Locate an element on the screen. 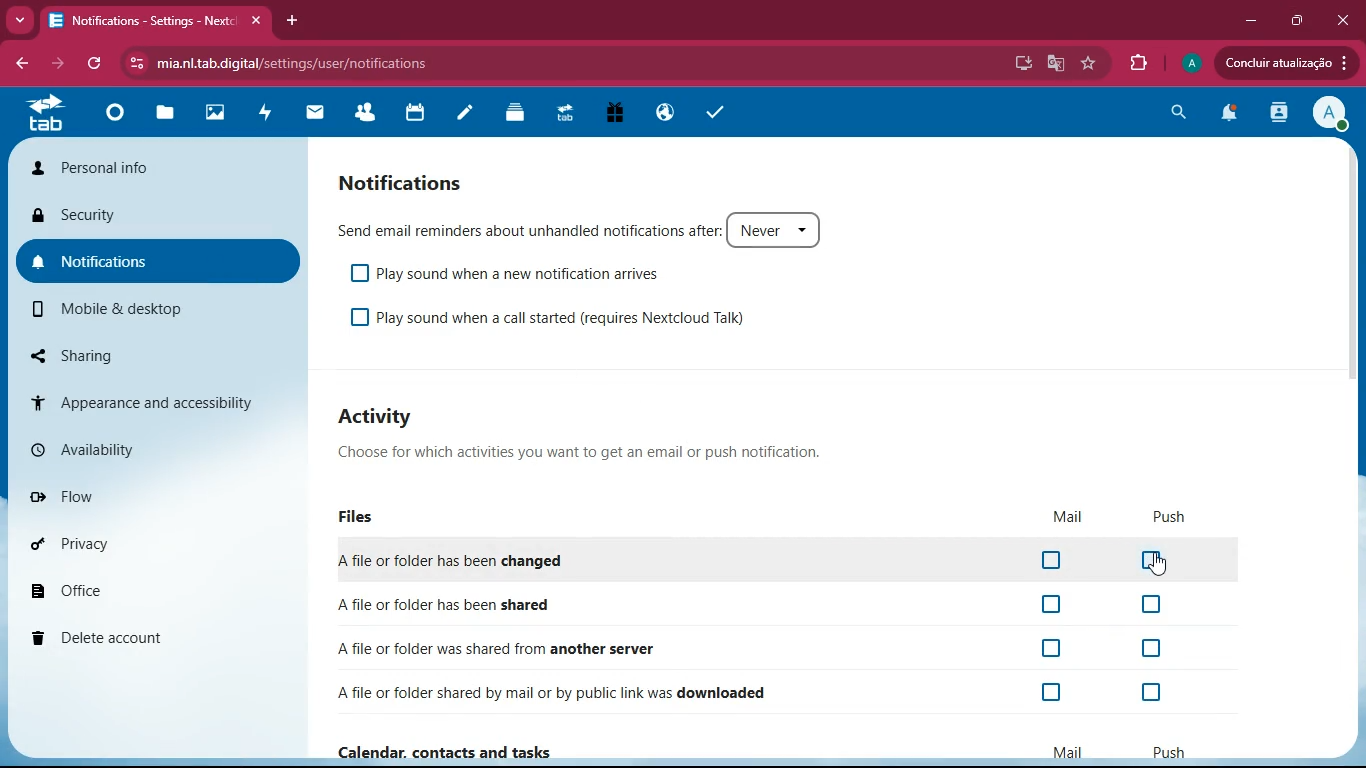 This screenshot has height=768, width=1366. off is located at coordinates (1054, 562).